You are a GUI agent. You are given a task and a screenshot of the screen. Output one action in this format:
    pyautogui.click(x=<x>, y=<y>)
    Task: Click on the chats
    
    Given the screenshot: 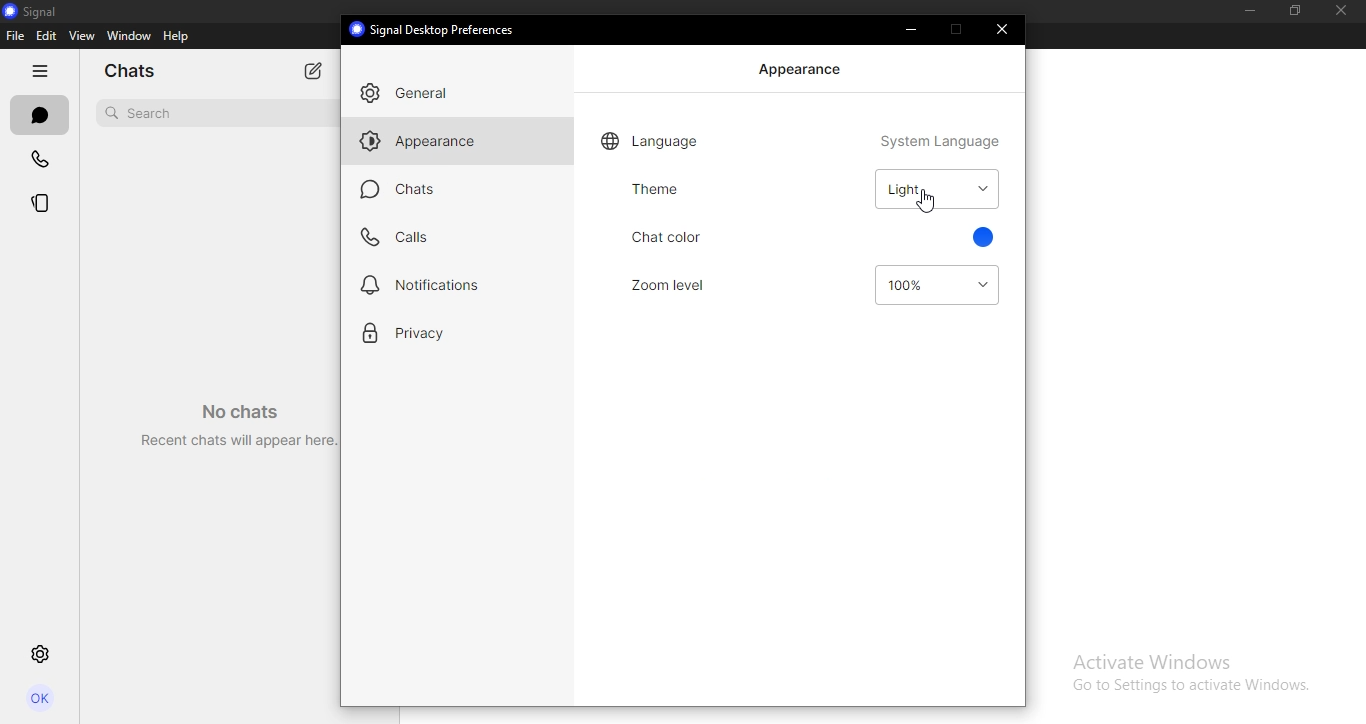 What is the action you would take?
    pyautogui.click(x=38, y=116)
    